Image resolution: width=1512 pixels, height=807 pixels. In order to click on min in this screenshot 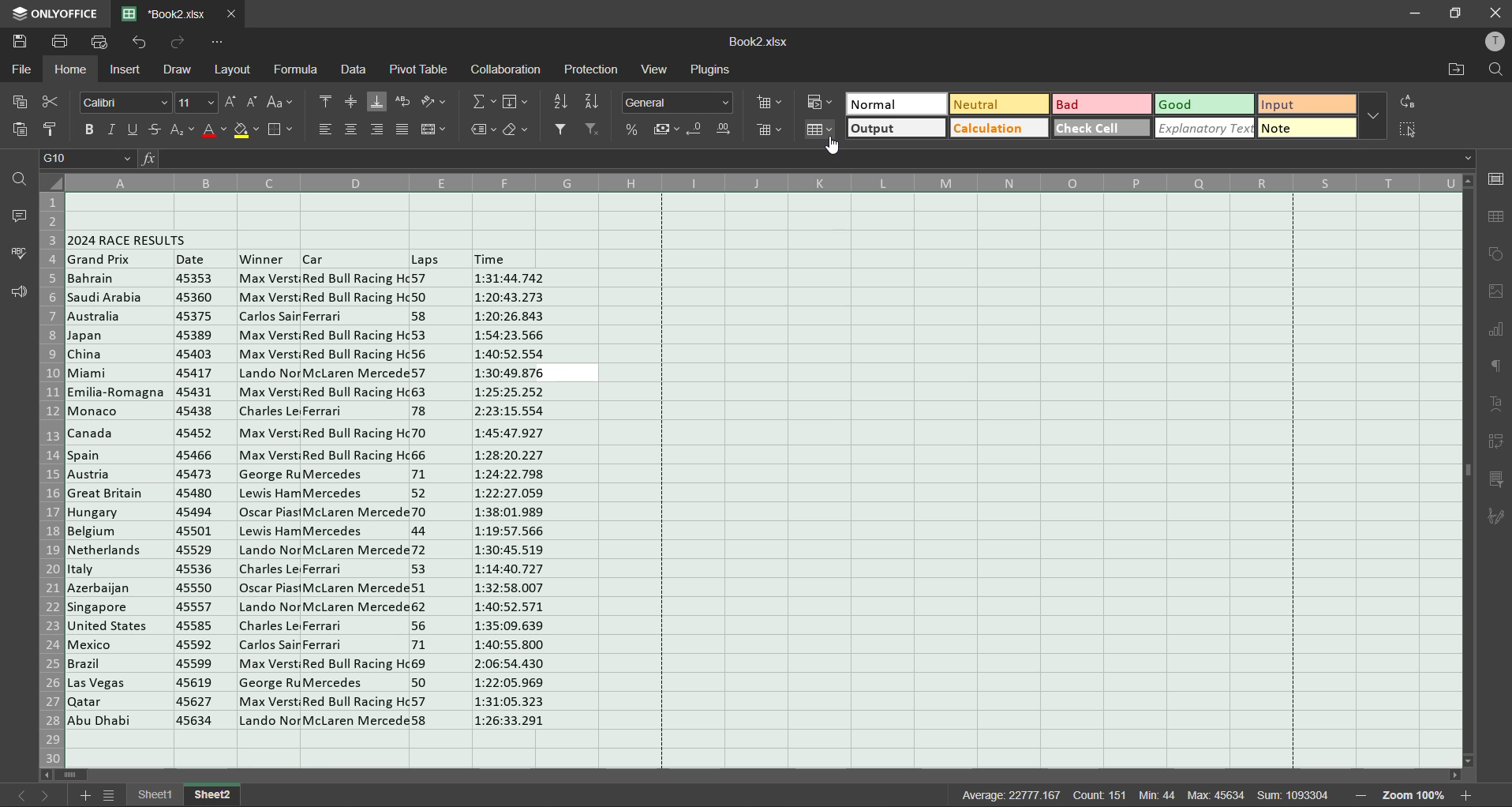, I will do `click(1158, 795)`.